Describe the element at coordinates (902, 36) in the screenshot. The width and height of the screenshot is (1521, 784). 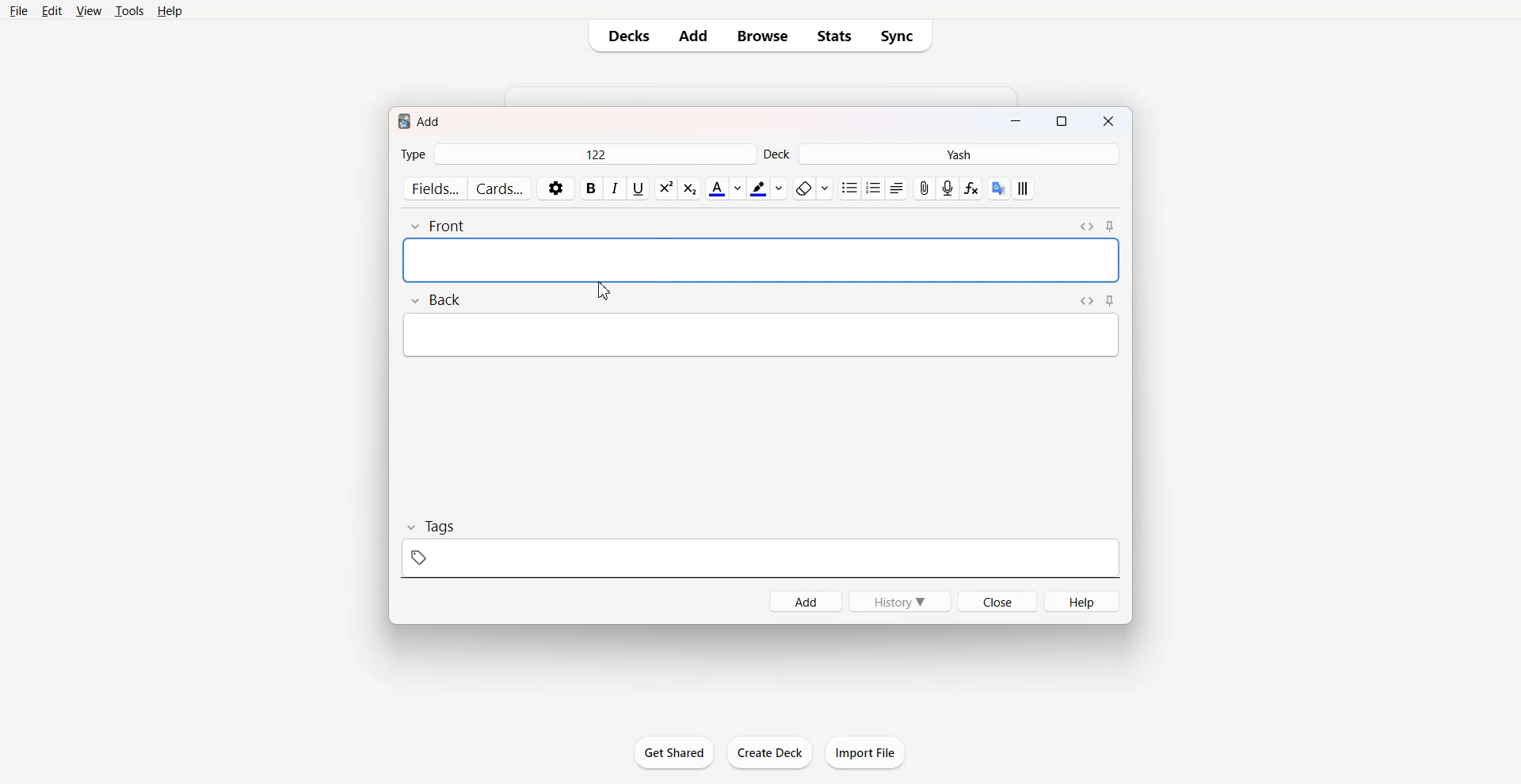
I see `Sync` at that location.